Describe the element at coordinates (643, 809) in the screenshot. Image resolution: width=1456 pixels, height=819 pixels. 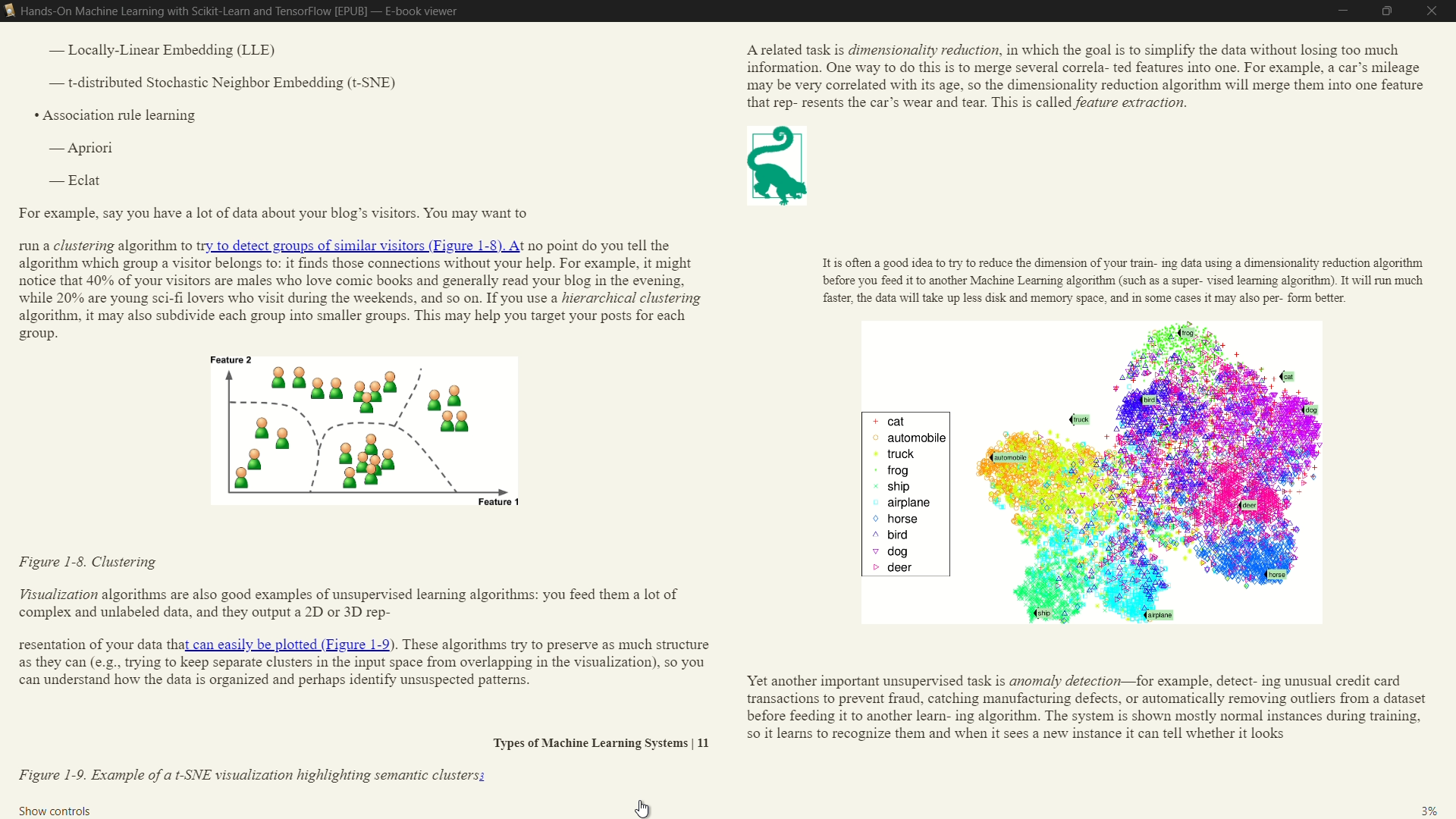
I see `cursor` at that location.